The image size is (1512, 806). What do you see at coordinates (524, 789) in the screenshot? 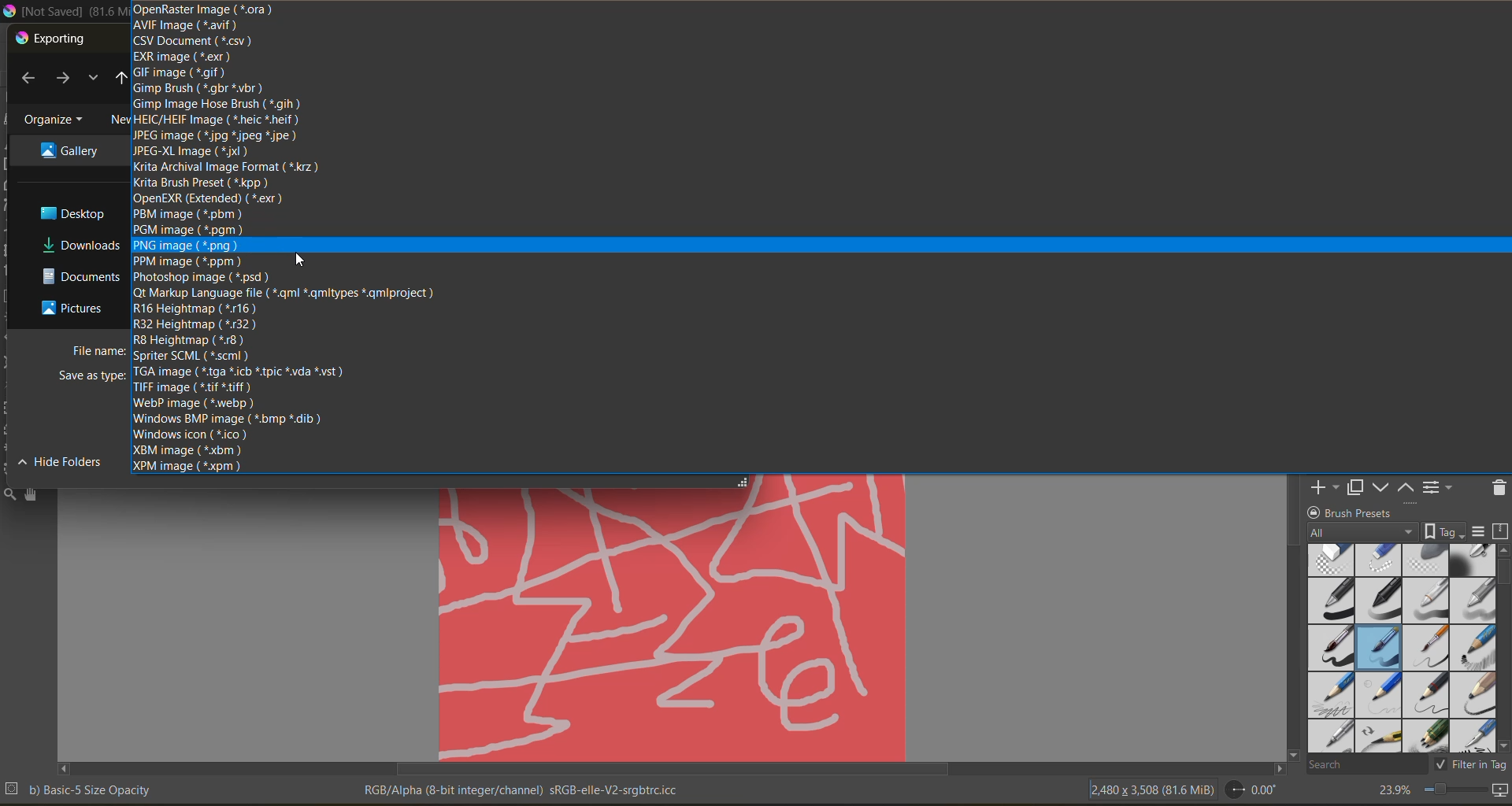
I see `metadata` at bounding box center [524, 789].